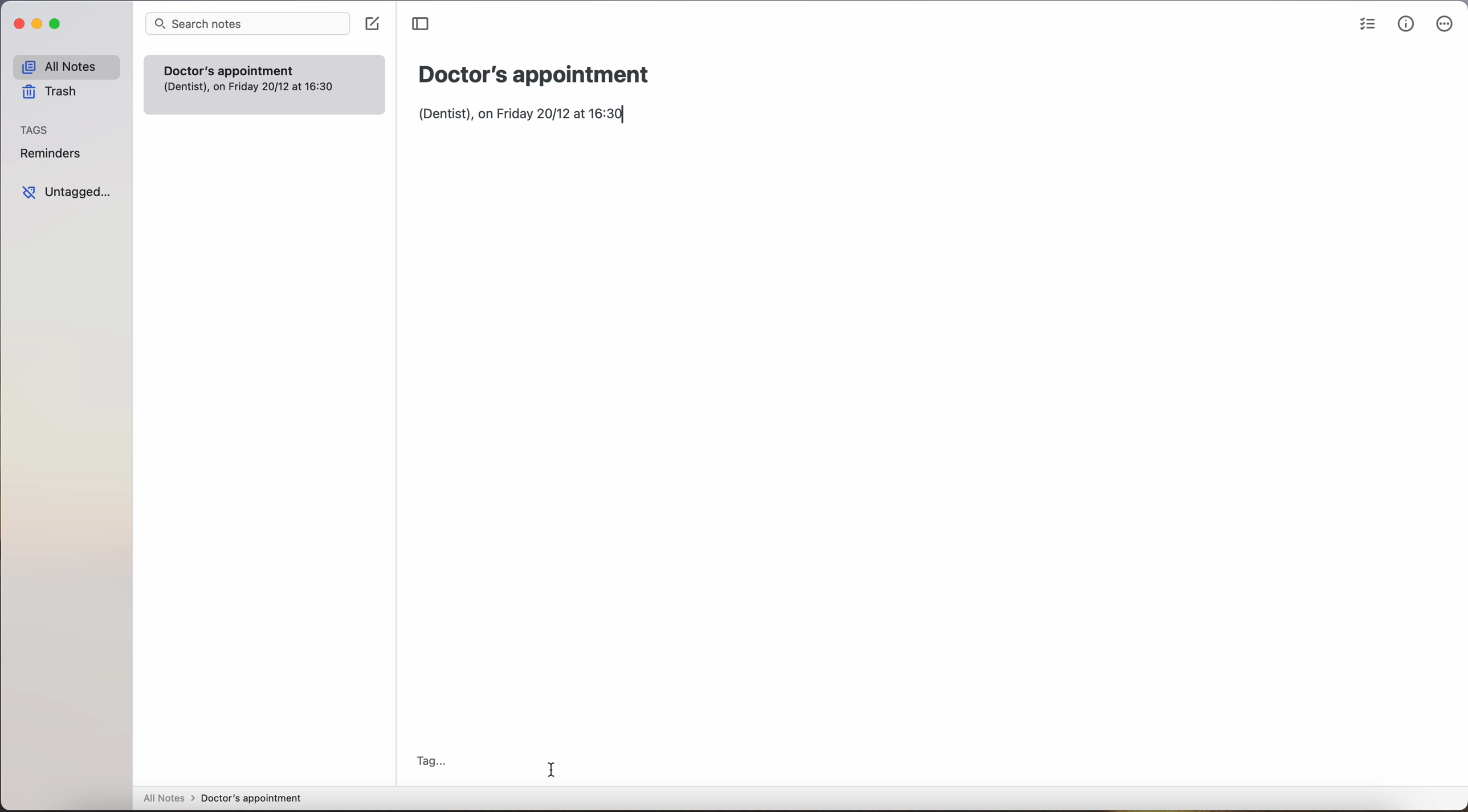  Describe the element at coordinates (17, 23) in the screenshot. I see `close app` at that location.